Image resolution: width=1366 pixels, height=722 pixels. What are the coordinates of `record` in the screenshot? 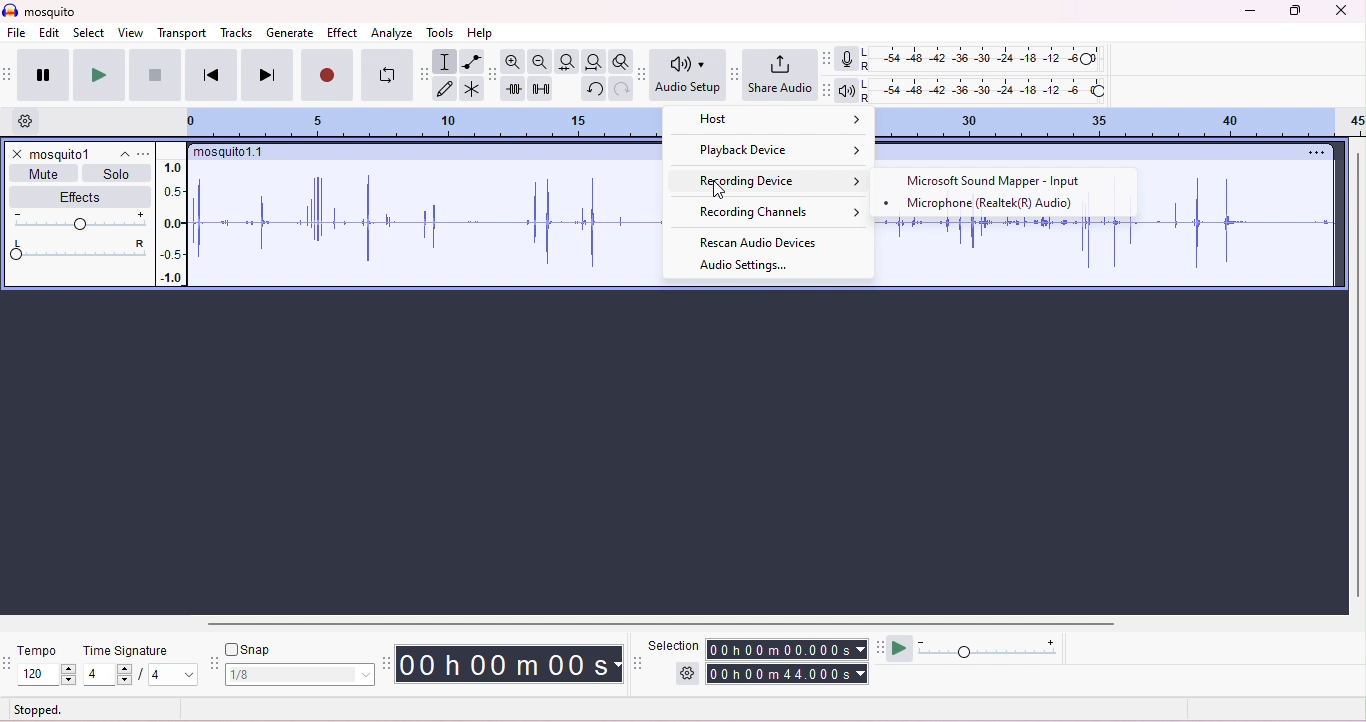 It's located at (327, 74).